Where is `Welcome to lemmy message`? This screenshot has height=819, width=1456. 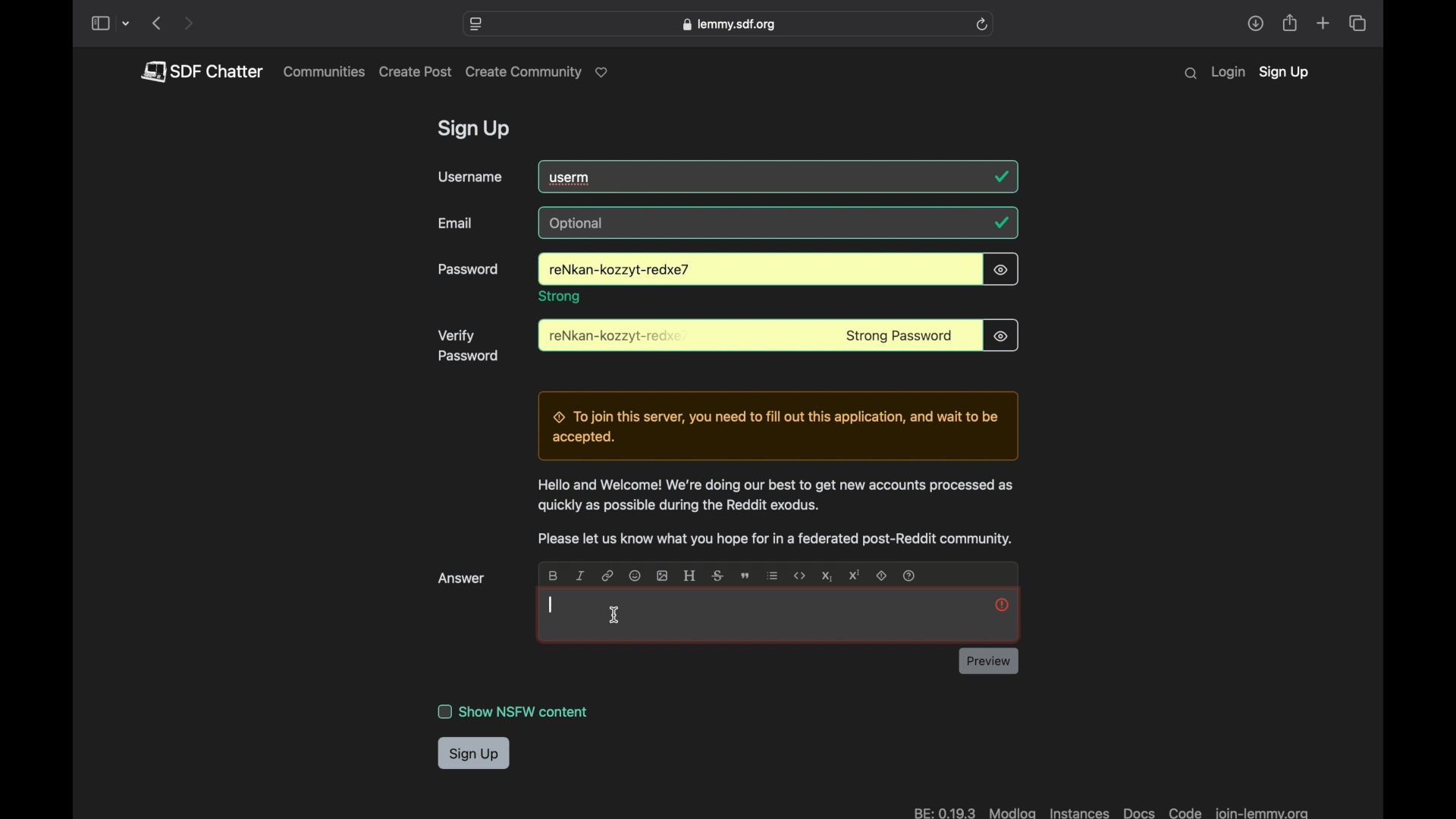
Welcome to lemmy message is located at coordinates (773, 496).